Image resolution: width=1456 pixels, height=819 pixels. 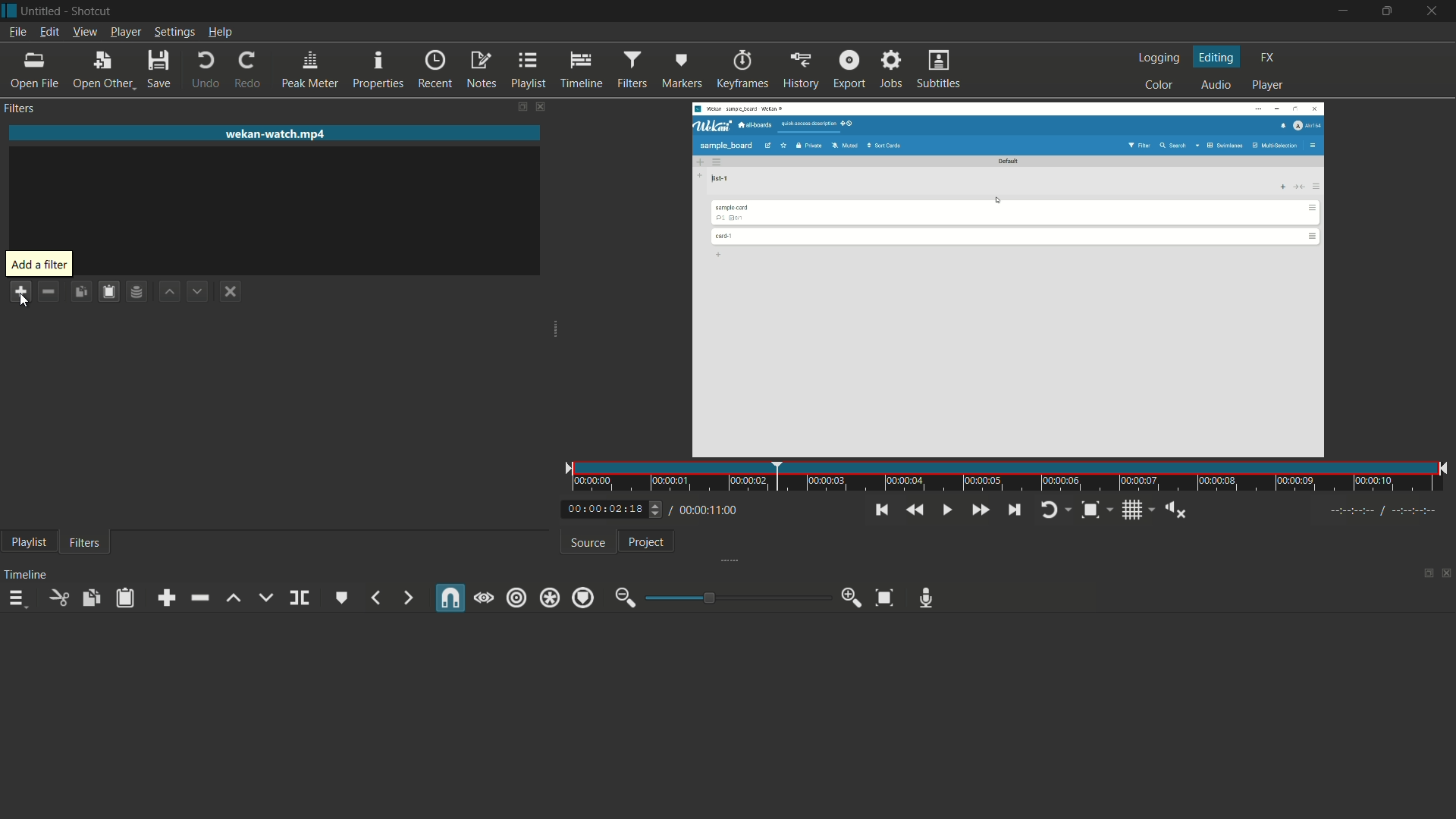 What do you see at coordinates (404, 598) in the screenshot?
I see `next marker` at bounding box center [404, 598].